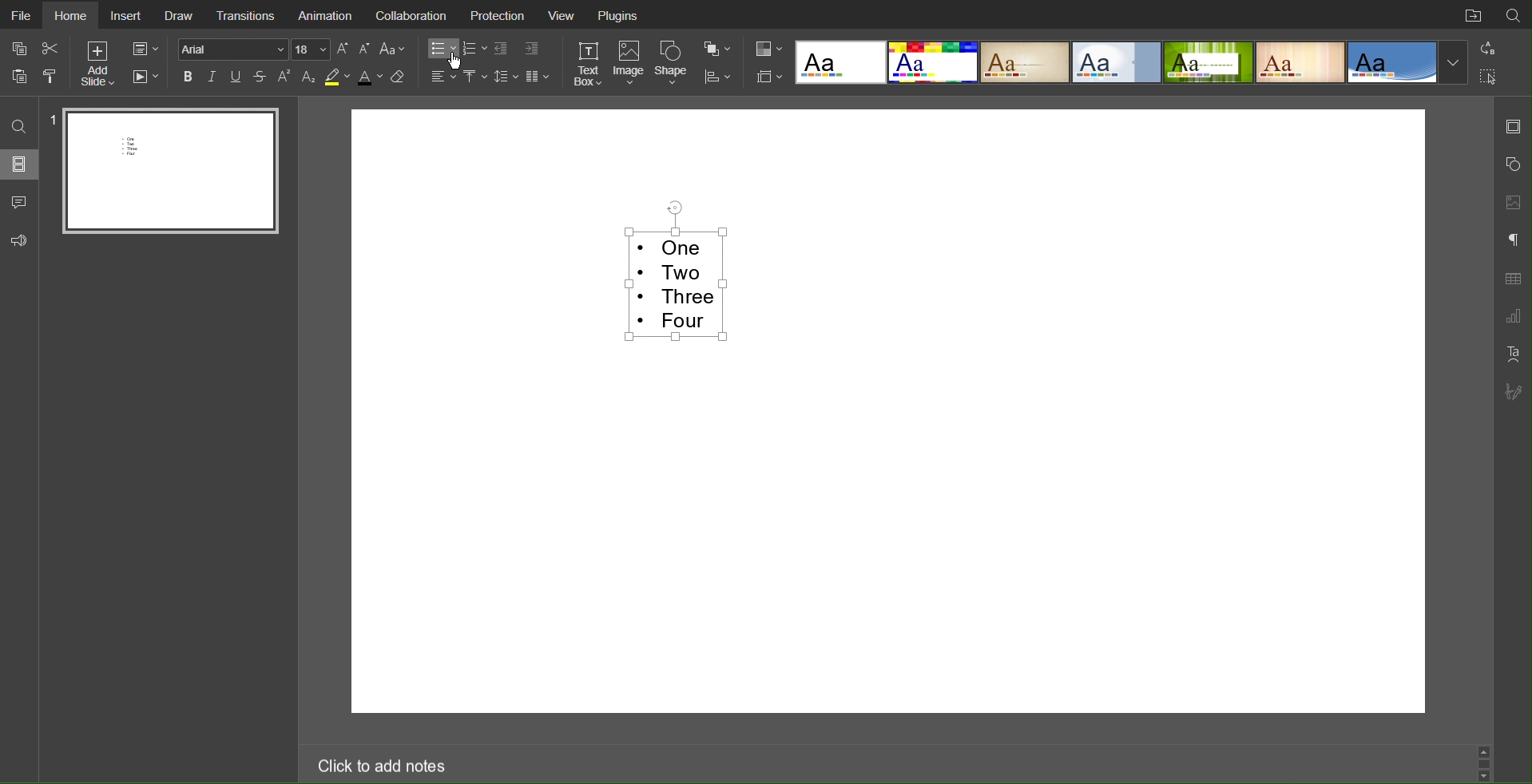 This screenshot has width=1532, height=784. What do you see at coordinates (189, 76) in the screenshot?
I see `Bold` at bounding box center [189, 76].